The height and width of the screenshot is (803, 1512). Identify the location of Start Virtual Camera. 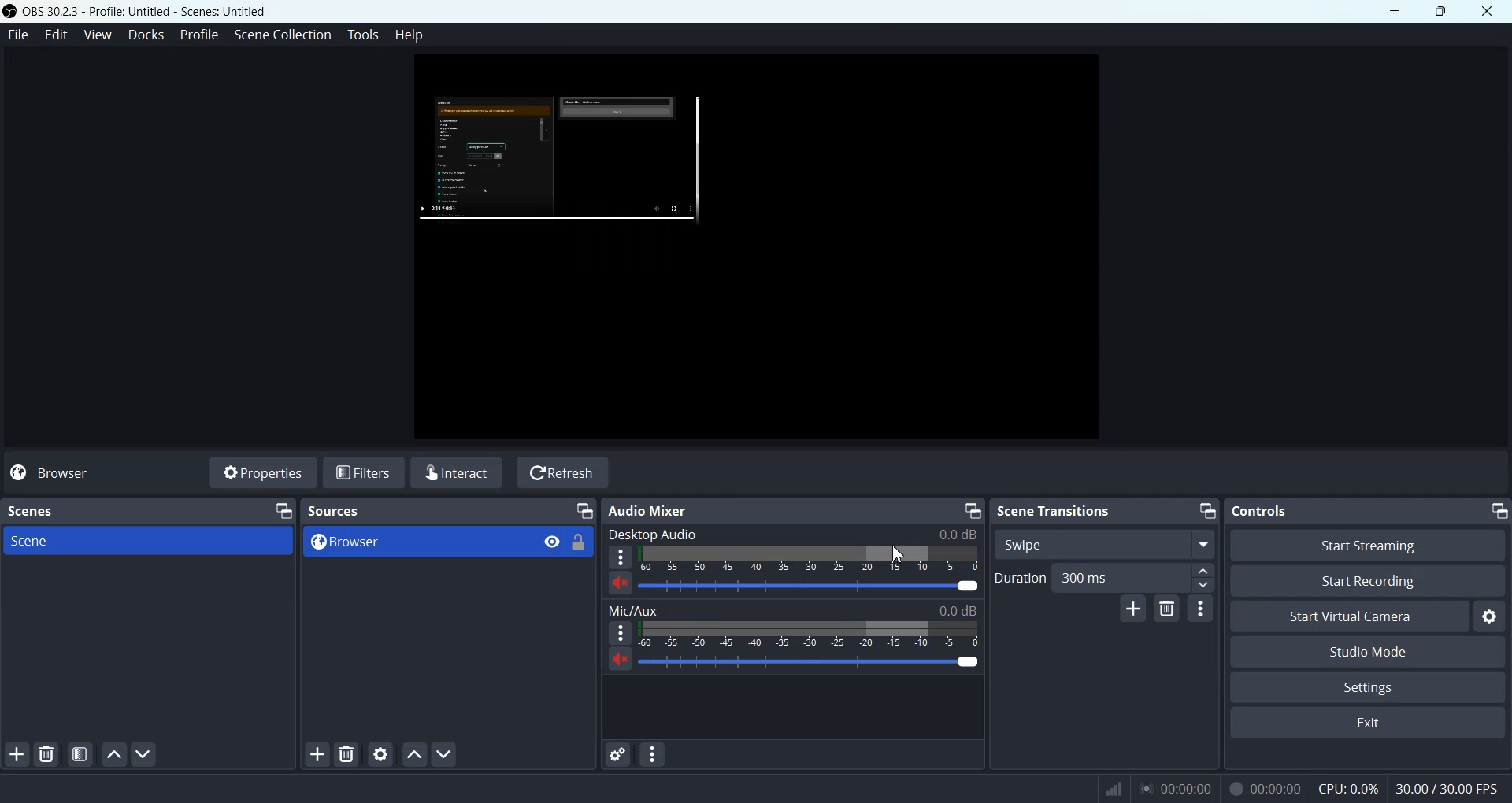
(1350, 616).